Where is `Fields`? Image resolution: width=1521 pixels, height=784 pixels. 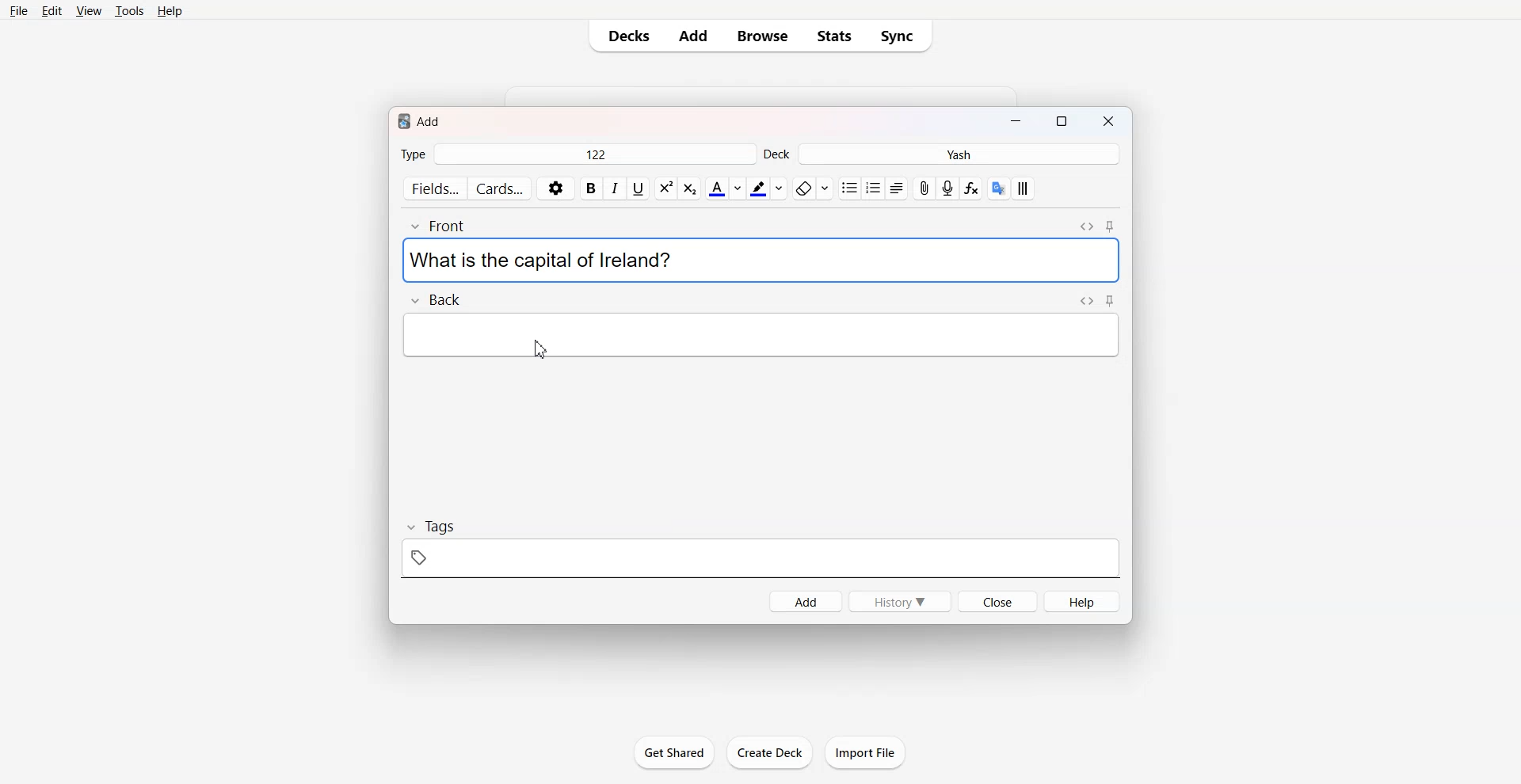
Fields is located at coordinates (434, 188).